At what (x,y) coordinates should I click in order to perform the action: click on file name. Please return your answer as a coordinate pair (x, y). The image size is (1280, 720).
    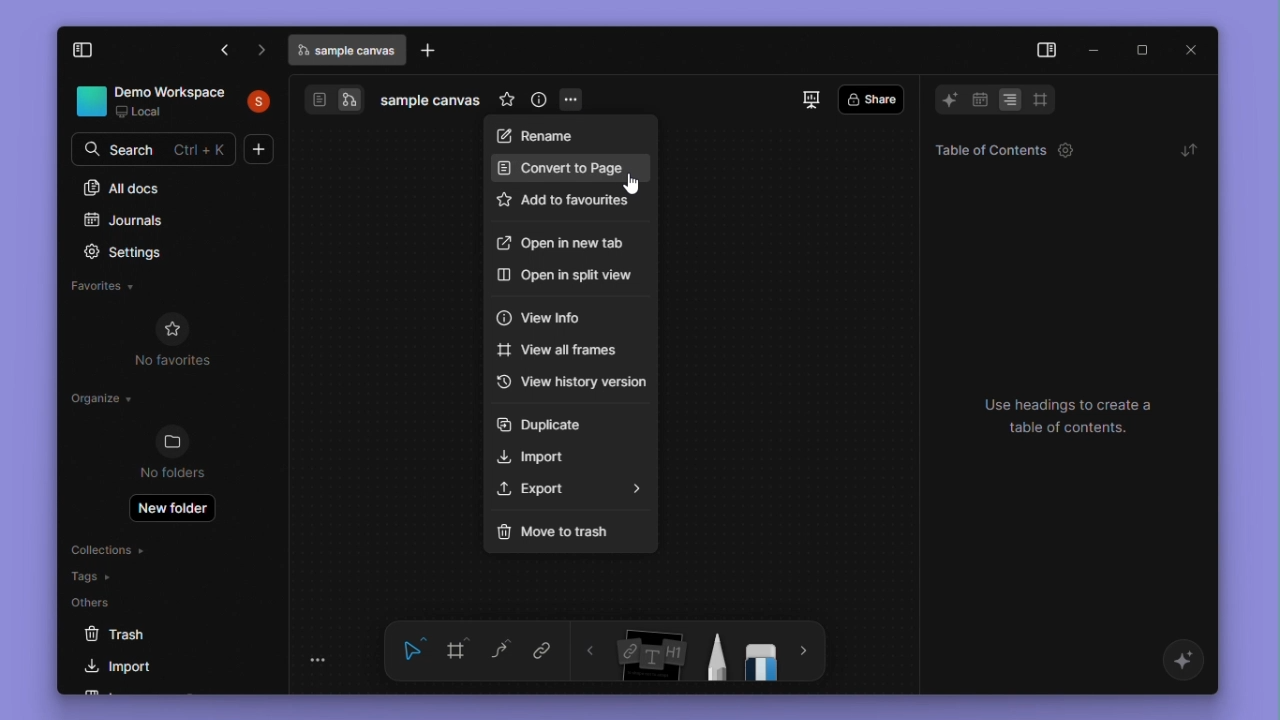
    Looking at the image, I should click on (432, 102).